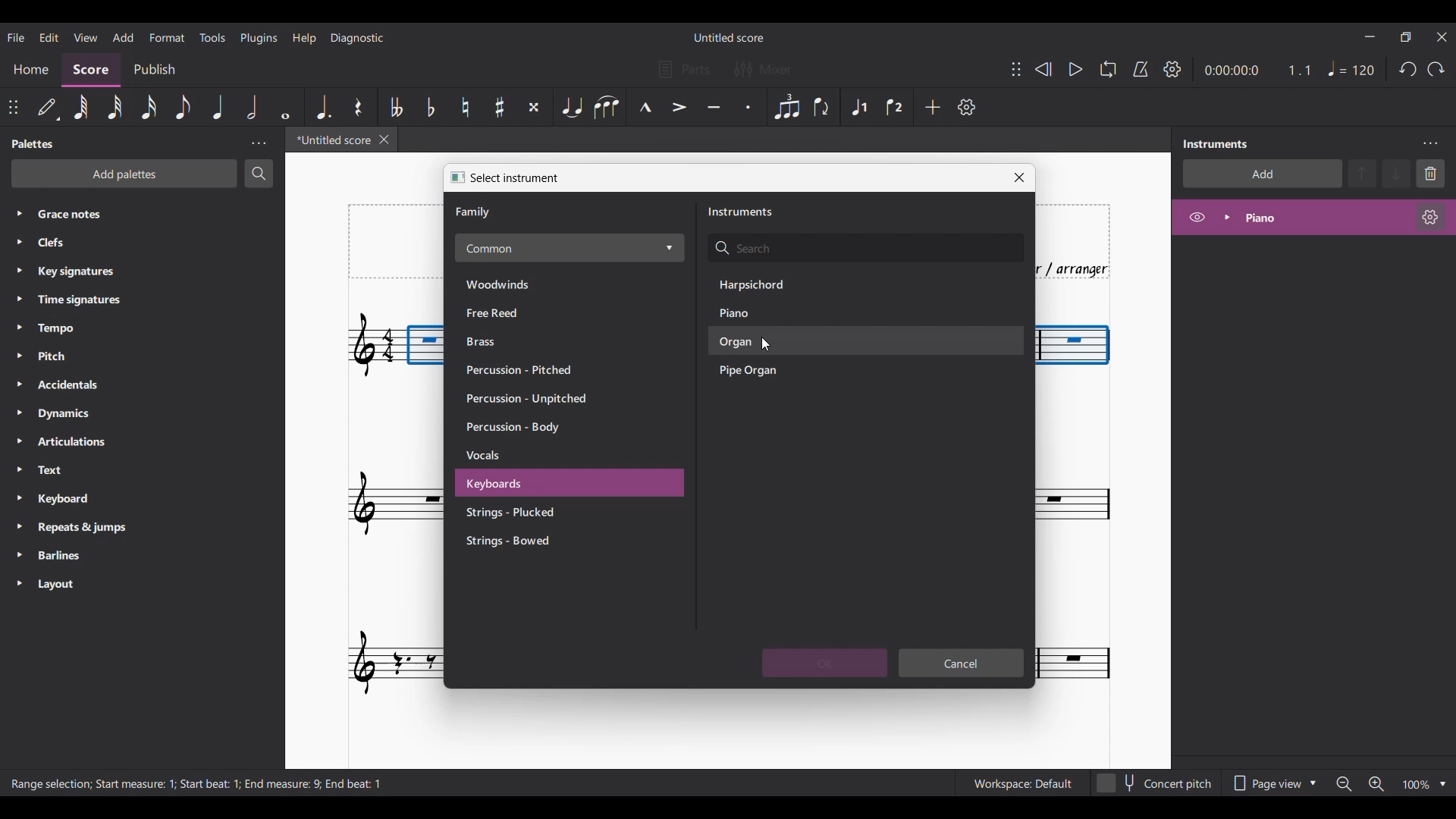 Image resolution: width=1456 pixels, height=819 pixels. Describe the element at coordinates (766, 343) in the screenshot. I see `Organ` at that location.